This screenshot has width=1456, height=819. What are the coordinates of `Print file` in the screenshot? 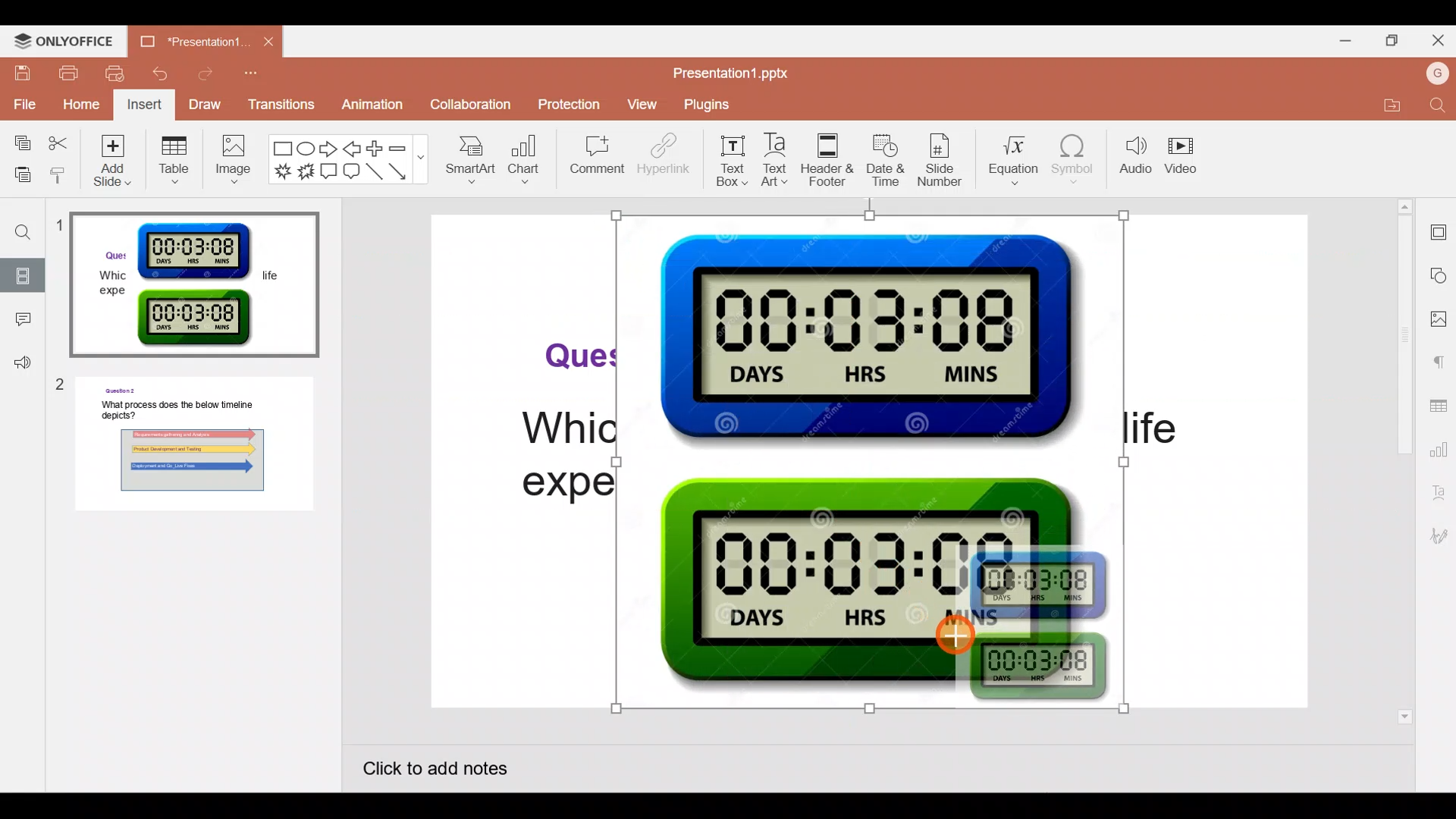 It's located at (71, 75).